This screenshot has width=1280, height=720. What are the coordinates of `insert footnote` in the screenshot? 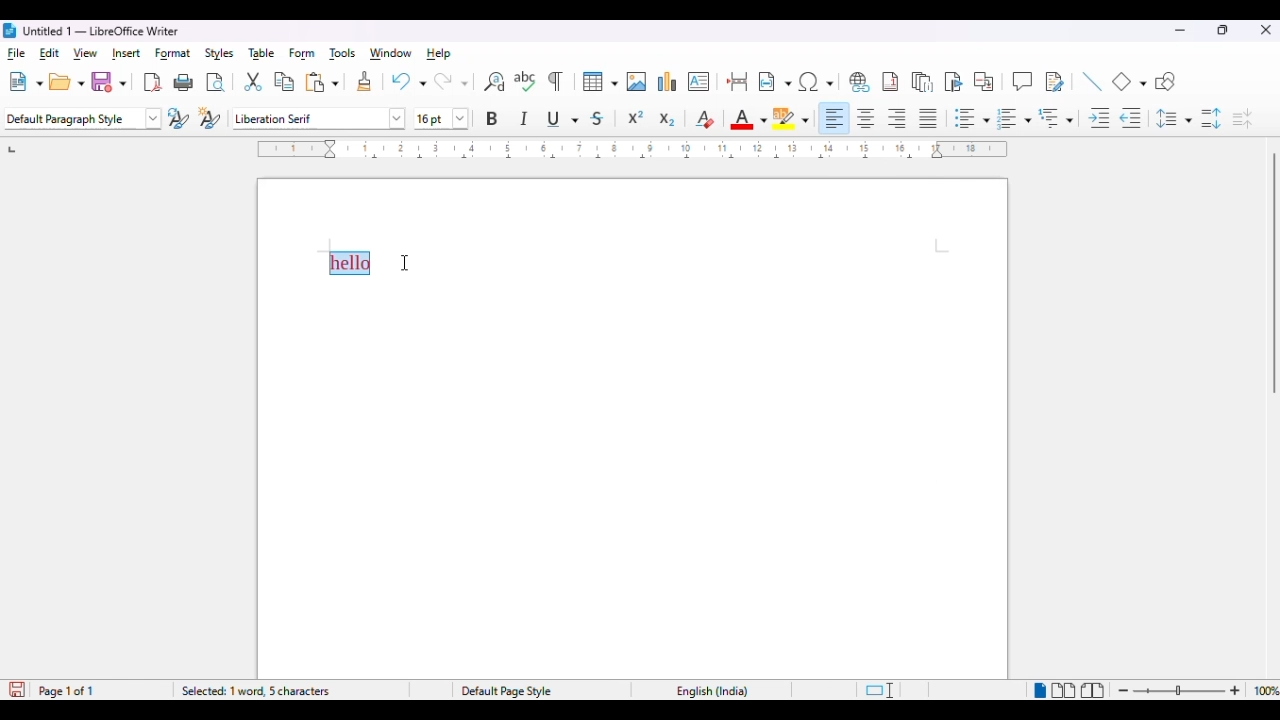 It's located at (890, 82).